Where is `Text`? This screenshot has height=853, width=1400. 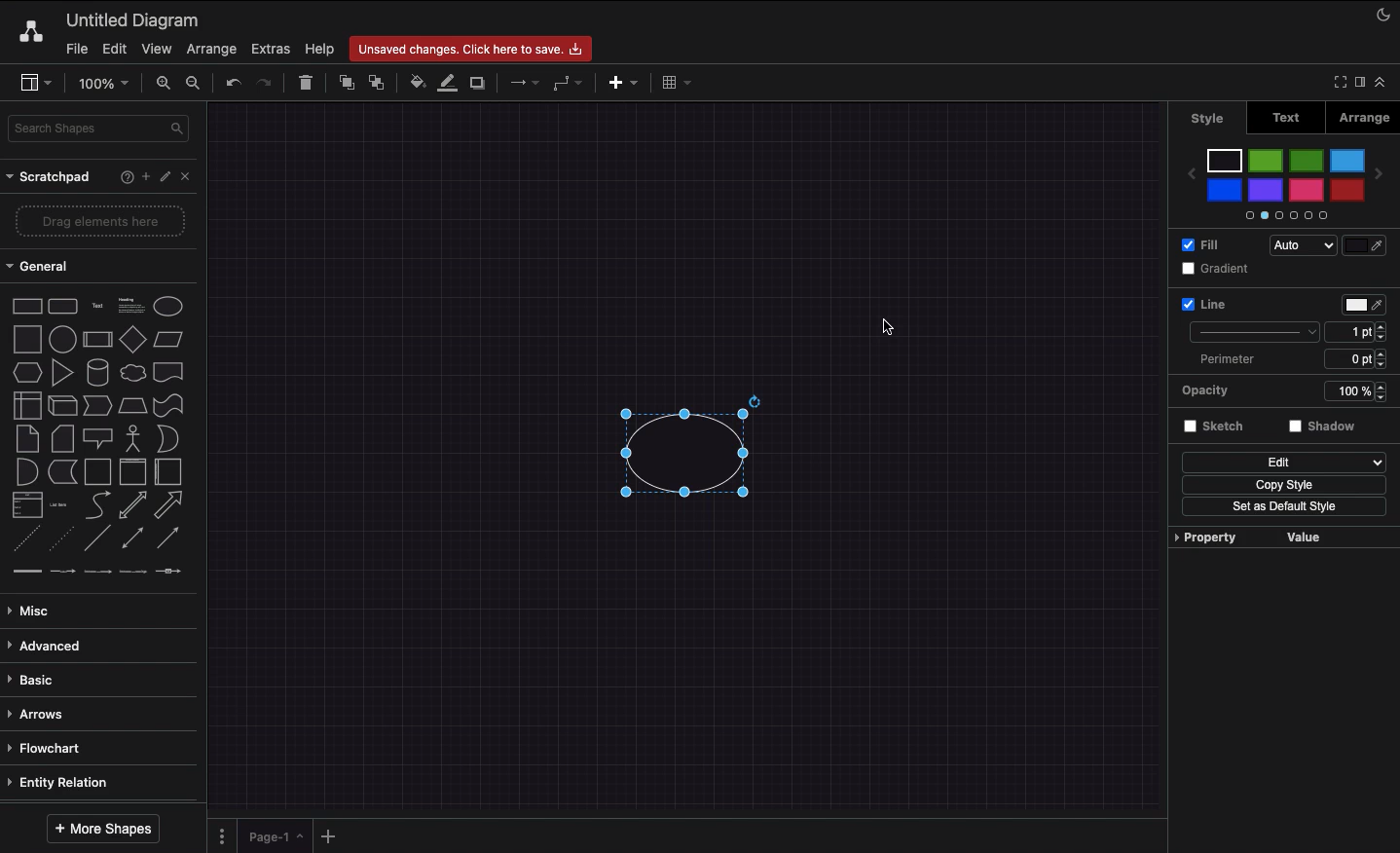
Text is located at coordinates (97, 307).